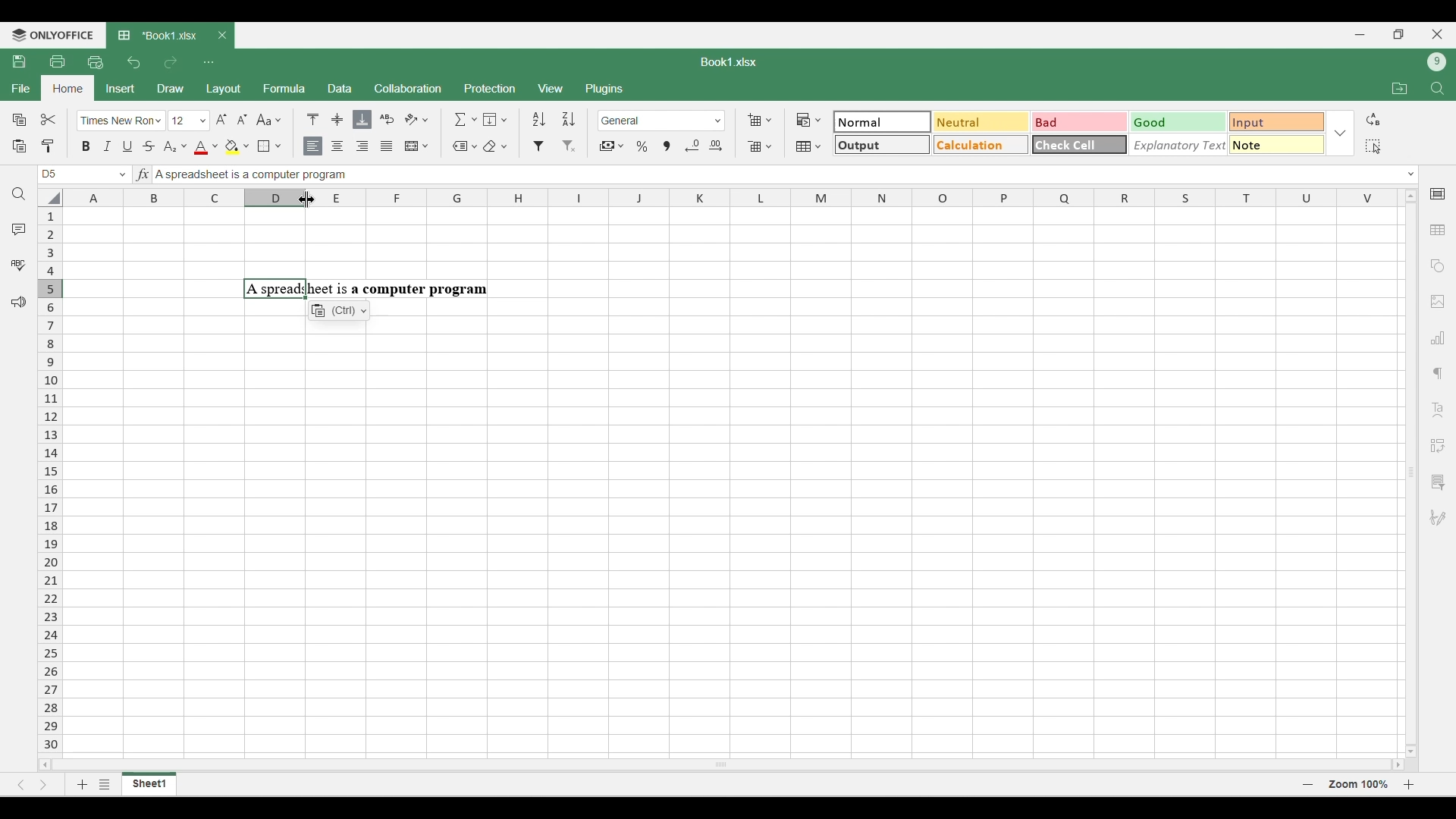 This screenshot has width=1456, height=819. Describe the element at coordinates (1400, 88) in the screenshot. I see `Open file location` at that location.